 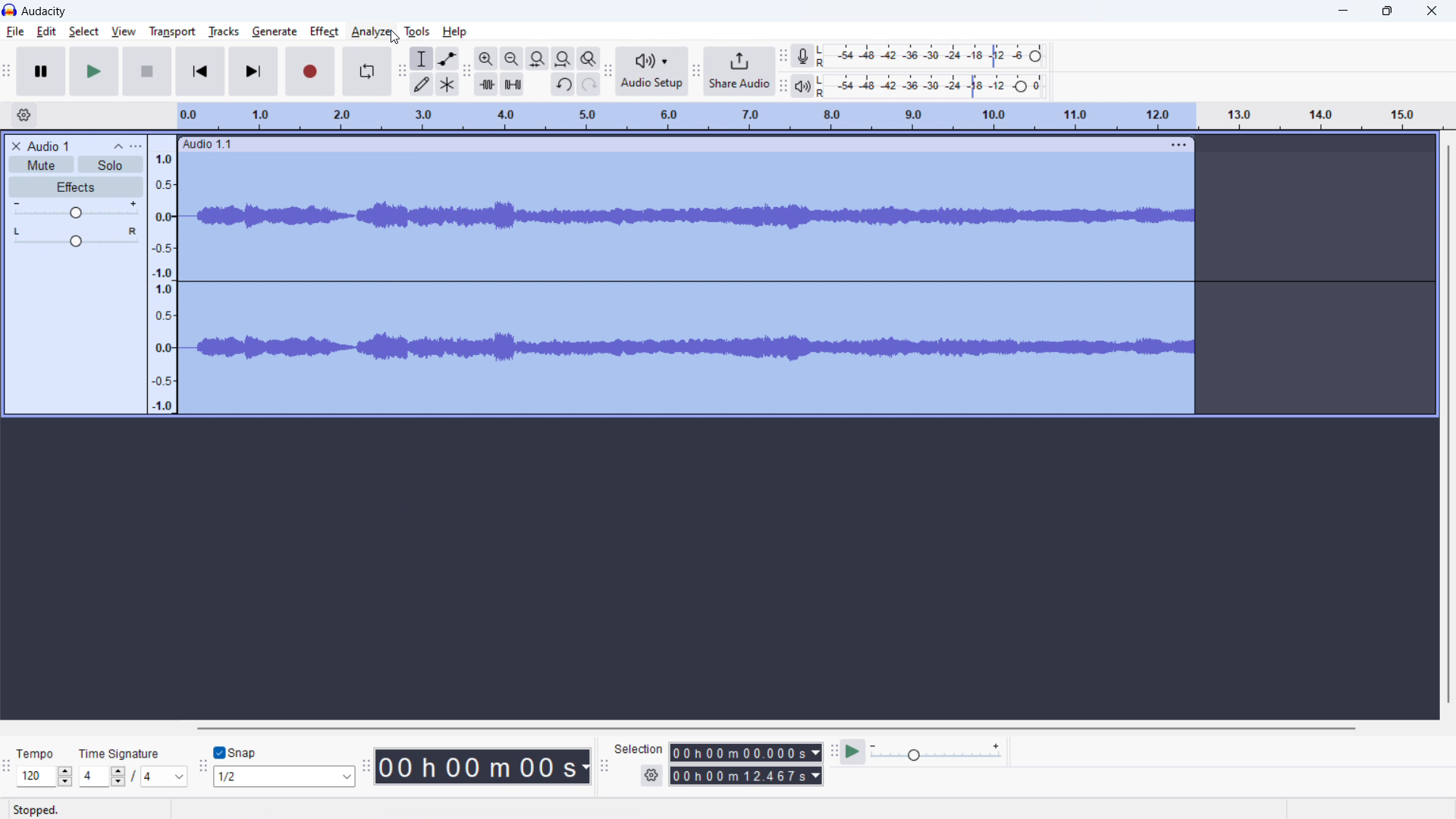 What do you see at coordinates (225, 31) in the screenshot?
I see `tracks` at bounding box center [225, 31].